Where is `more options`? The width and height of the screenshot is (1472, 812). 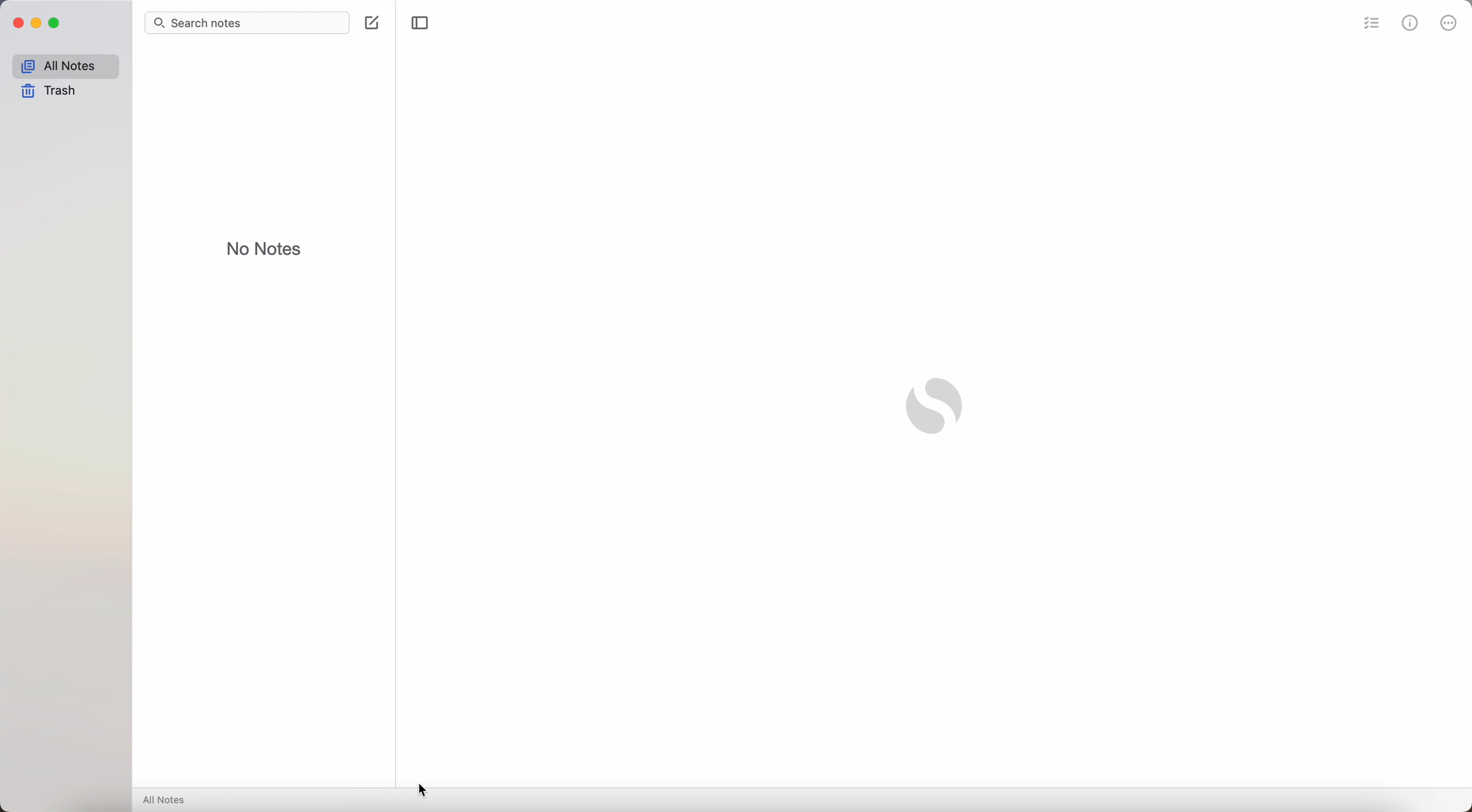 more options is located at coordinates (1450, 22).